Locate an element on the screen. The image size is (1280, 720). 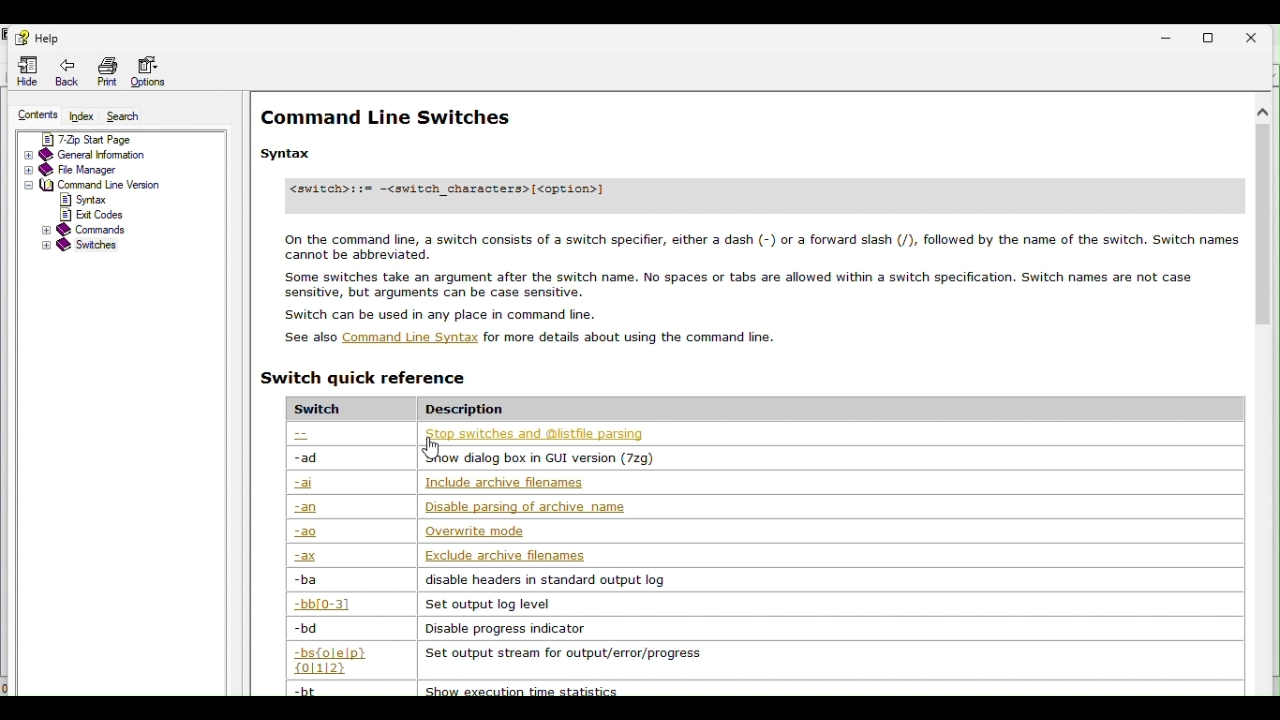
-bb[0-3] is located at coordinates (332, 603).